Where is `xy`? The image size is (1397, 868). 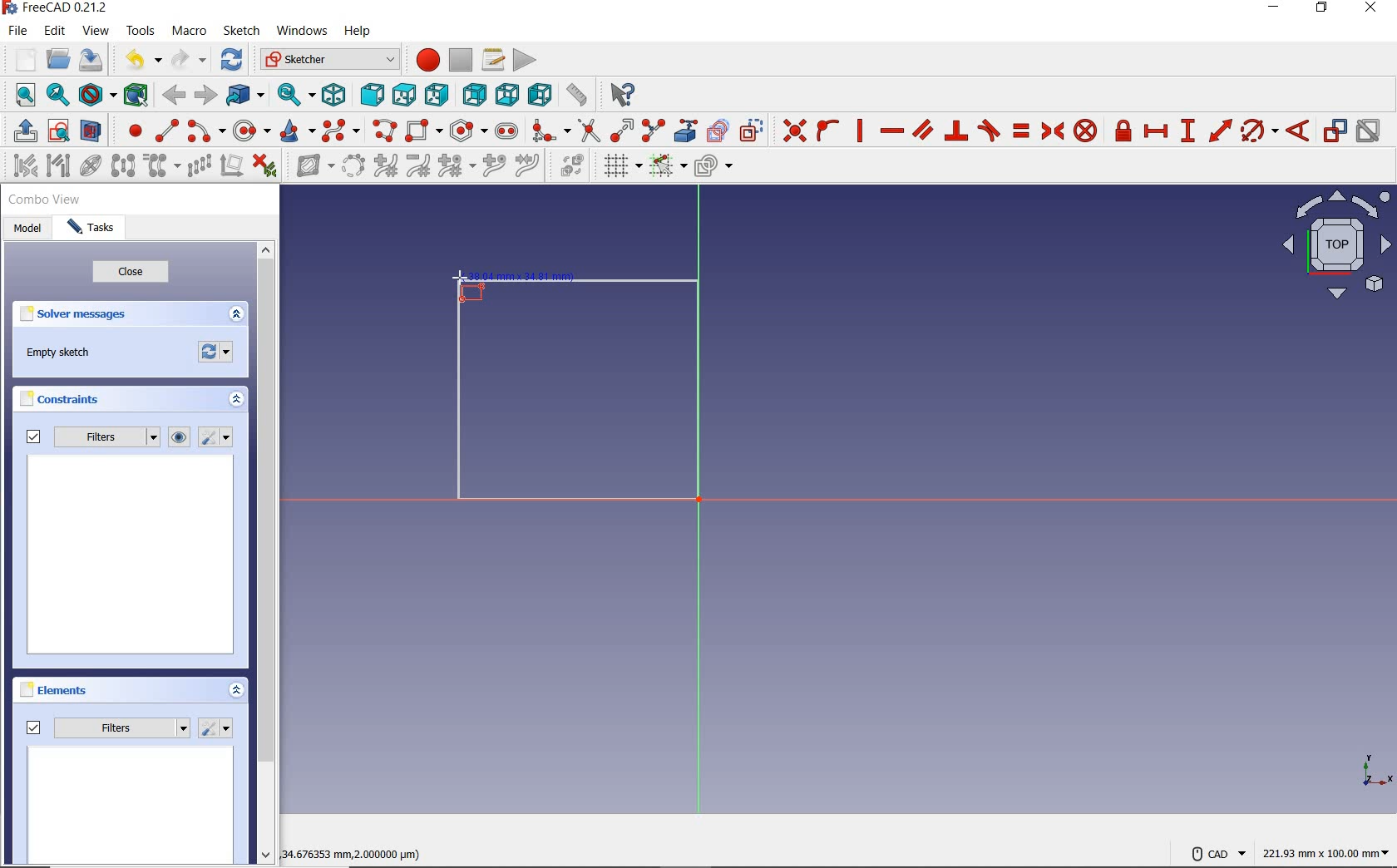 xy is located at coordinates (1366, 769).